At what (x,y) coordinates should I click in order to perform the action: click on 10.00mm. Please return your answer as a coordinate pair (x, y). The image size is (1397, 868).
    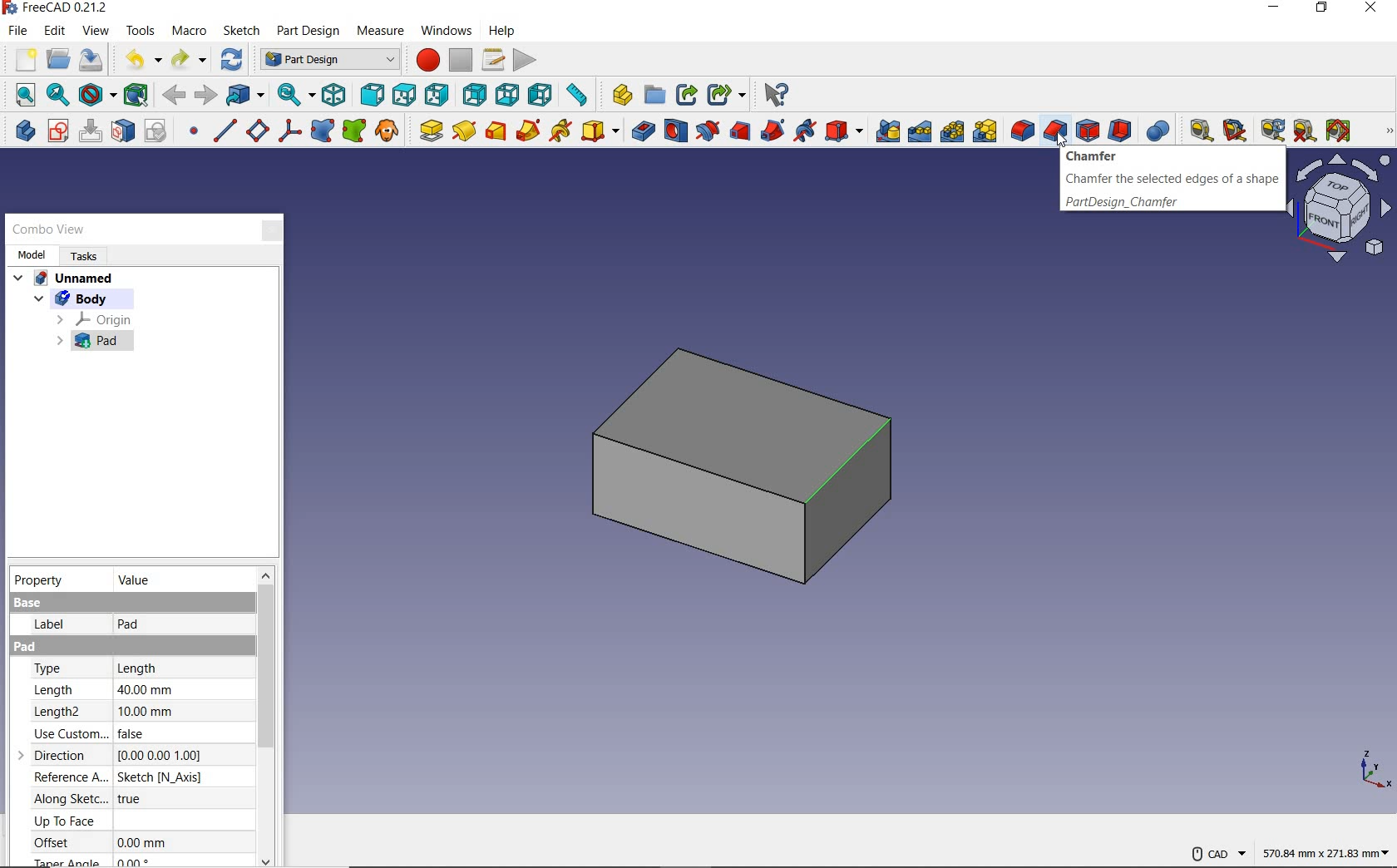
    Looking at the image, I should click on (146, 711).